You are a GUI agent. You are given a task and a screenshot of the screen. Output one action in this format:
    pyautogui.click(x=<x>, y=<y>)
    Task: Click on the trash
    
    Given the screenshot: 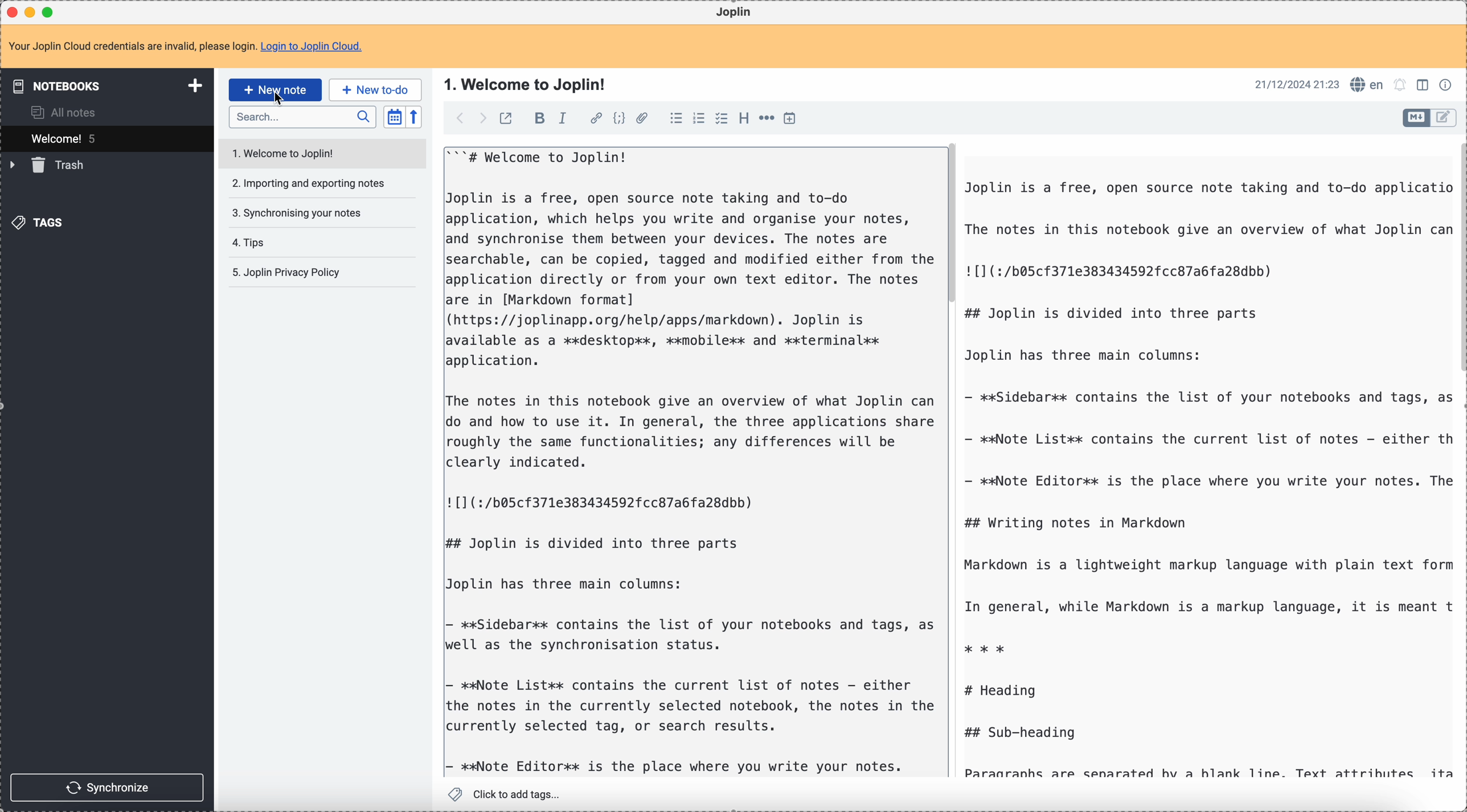 What is the action you would take?
    pyautogui.click(x=50, y=166)
    